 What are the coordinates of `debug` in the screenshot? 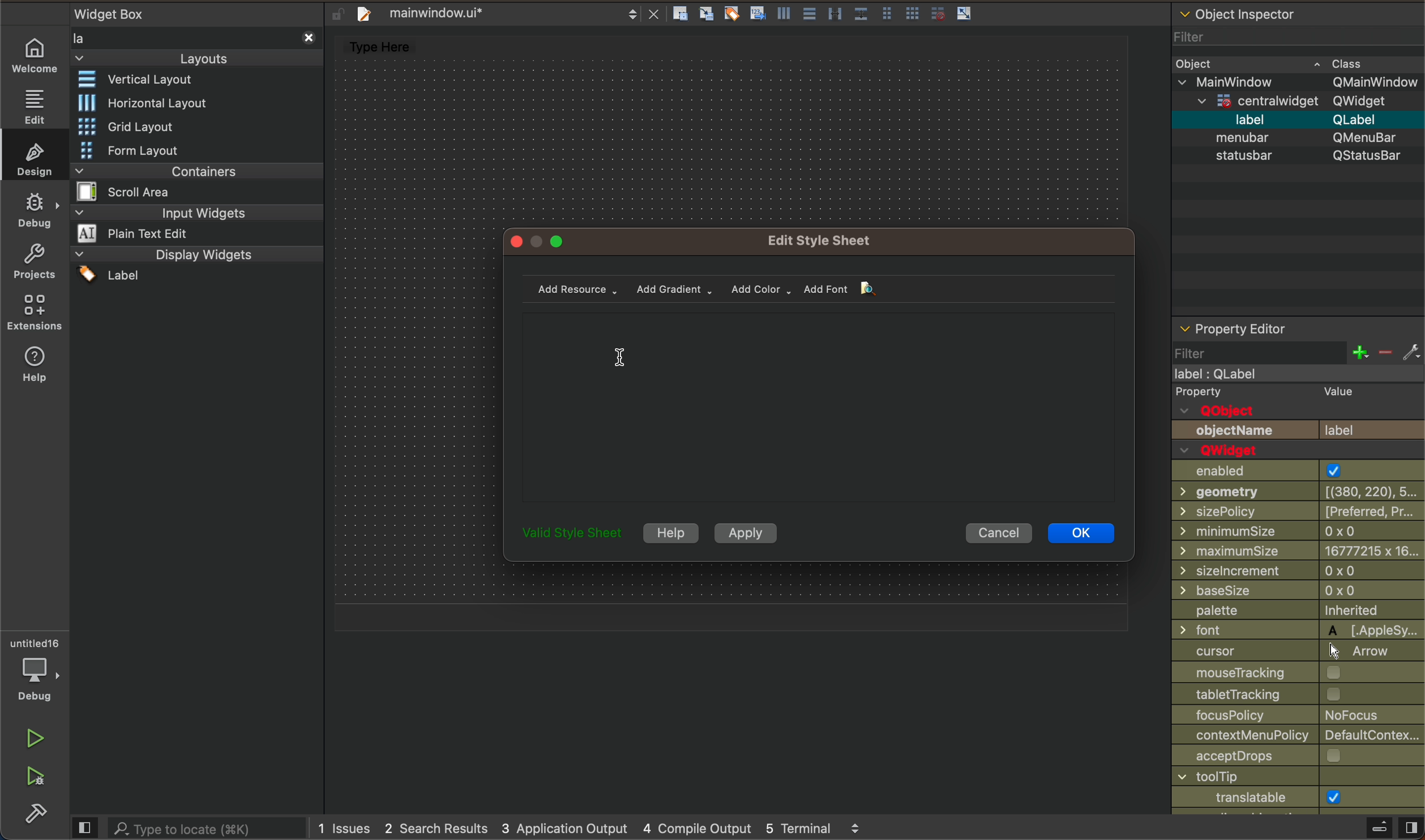 It's located at (32, 674).